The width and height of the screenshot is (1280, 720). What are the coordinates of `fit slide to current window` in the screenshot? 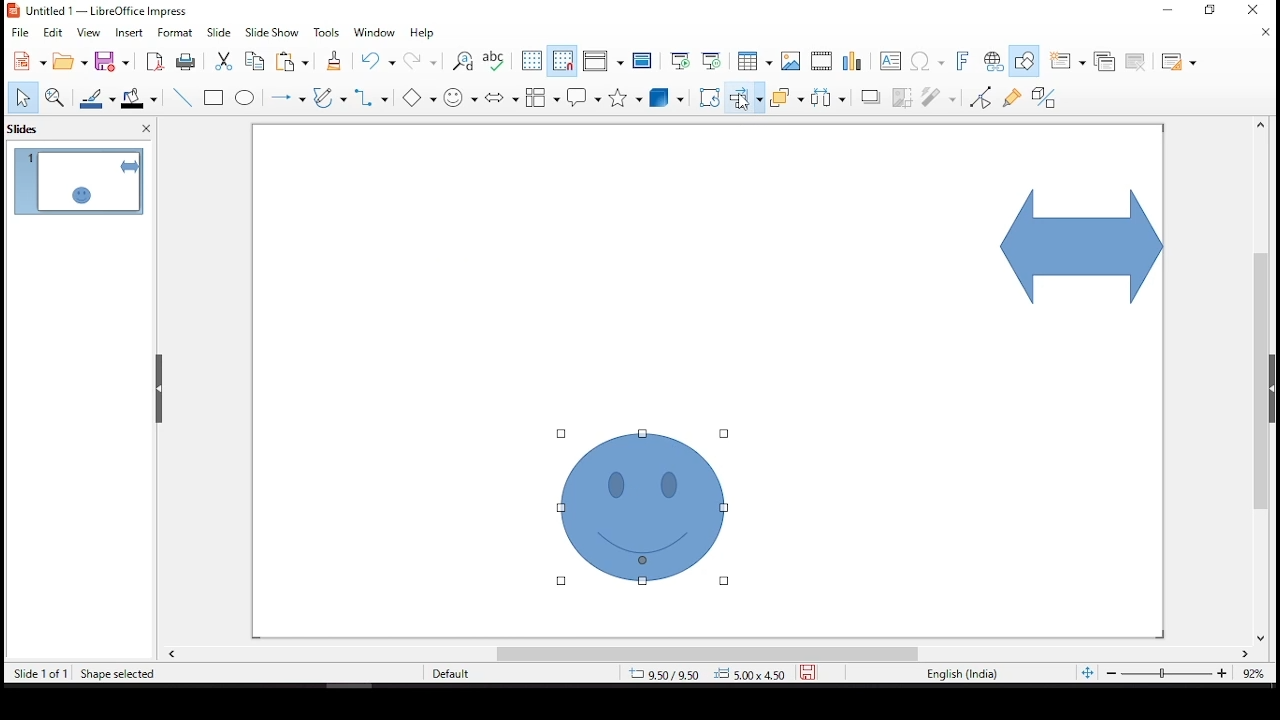 It's located at (1085, 672).